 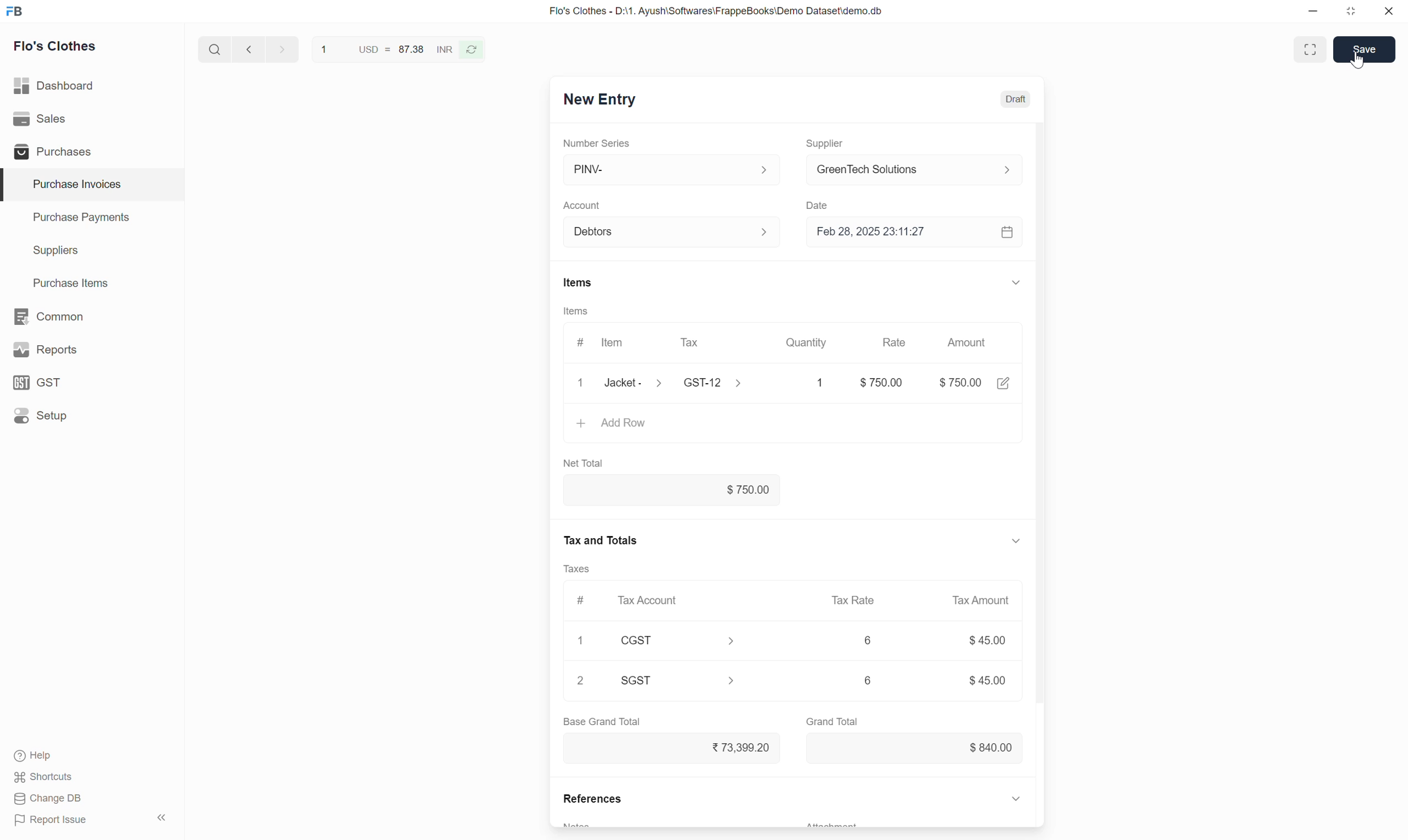 What do you see at coordinates (91, 151) in the screenshot?
I see `Purchases` at bounding box center [91, 151].